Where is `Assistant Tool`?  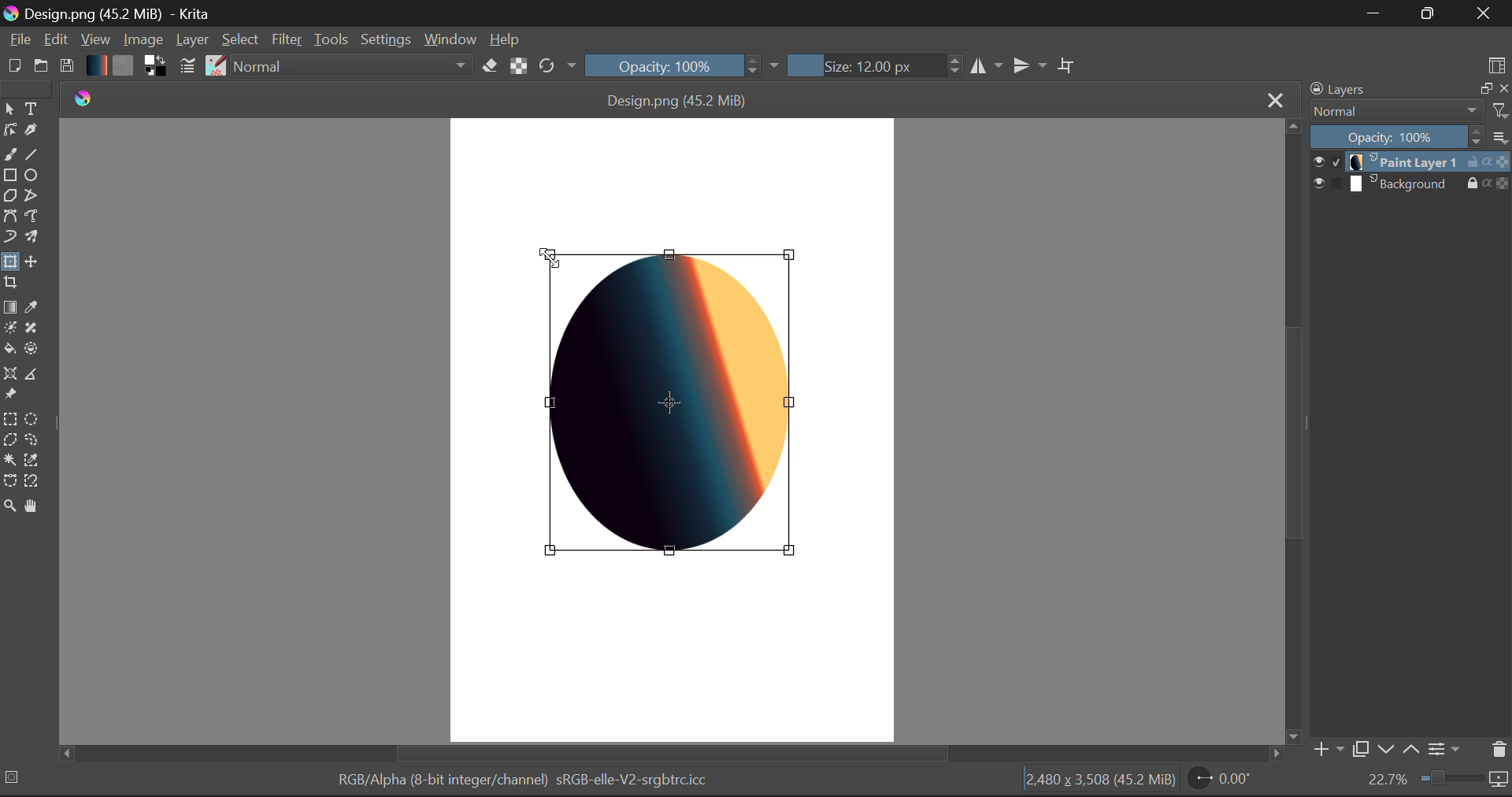
Assistant Tool is located at coordinates (10, 374).